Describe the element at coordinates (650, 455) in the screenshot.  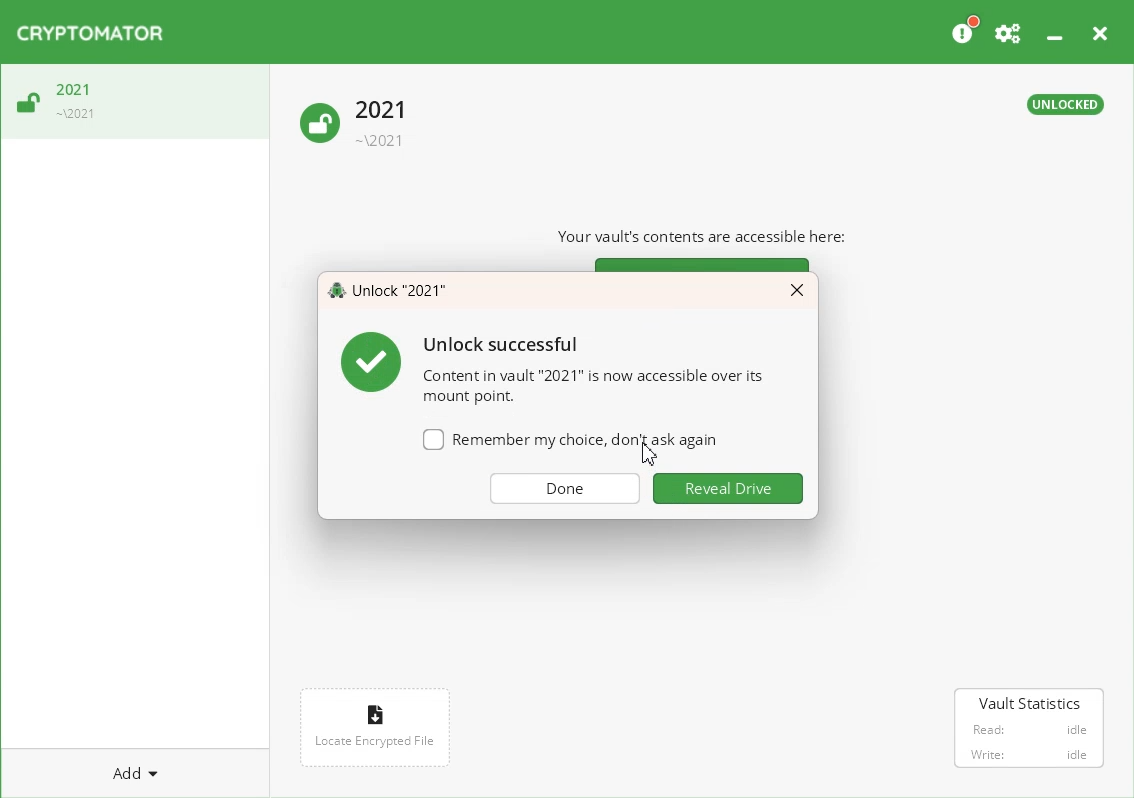
I see `Cursor` at that location.